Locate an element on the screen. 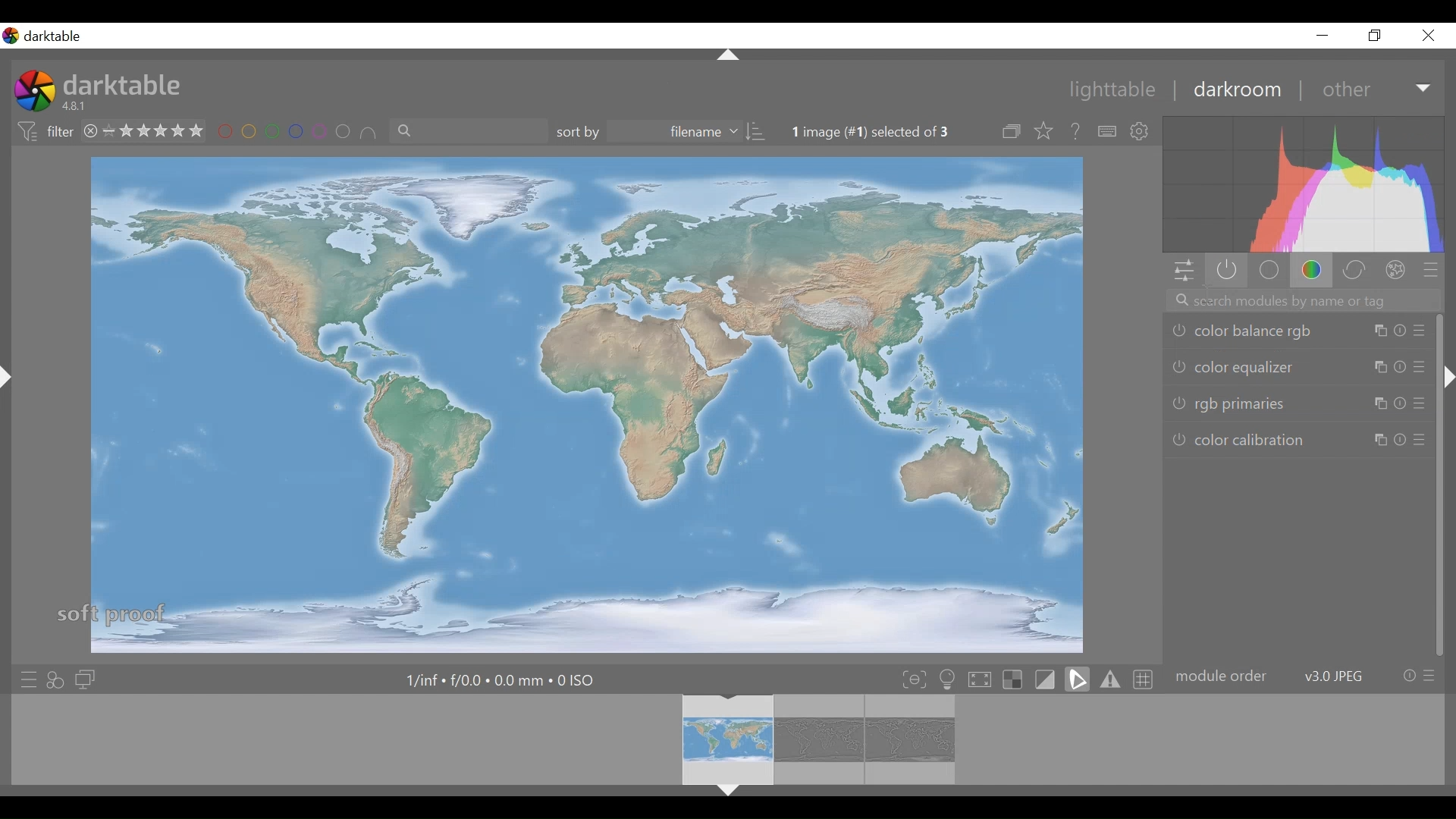 This screenshot has width=1456, height=819. search modules by name or tag is located at coordinates (1295, 301).